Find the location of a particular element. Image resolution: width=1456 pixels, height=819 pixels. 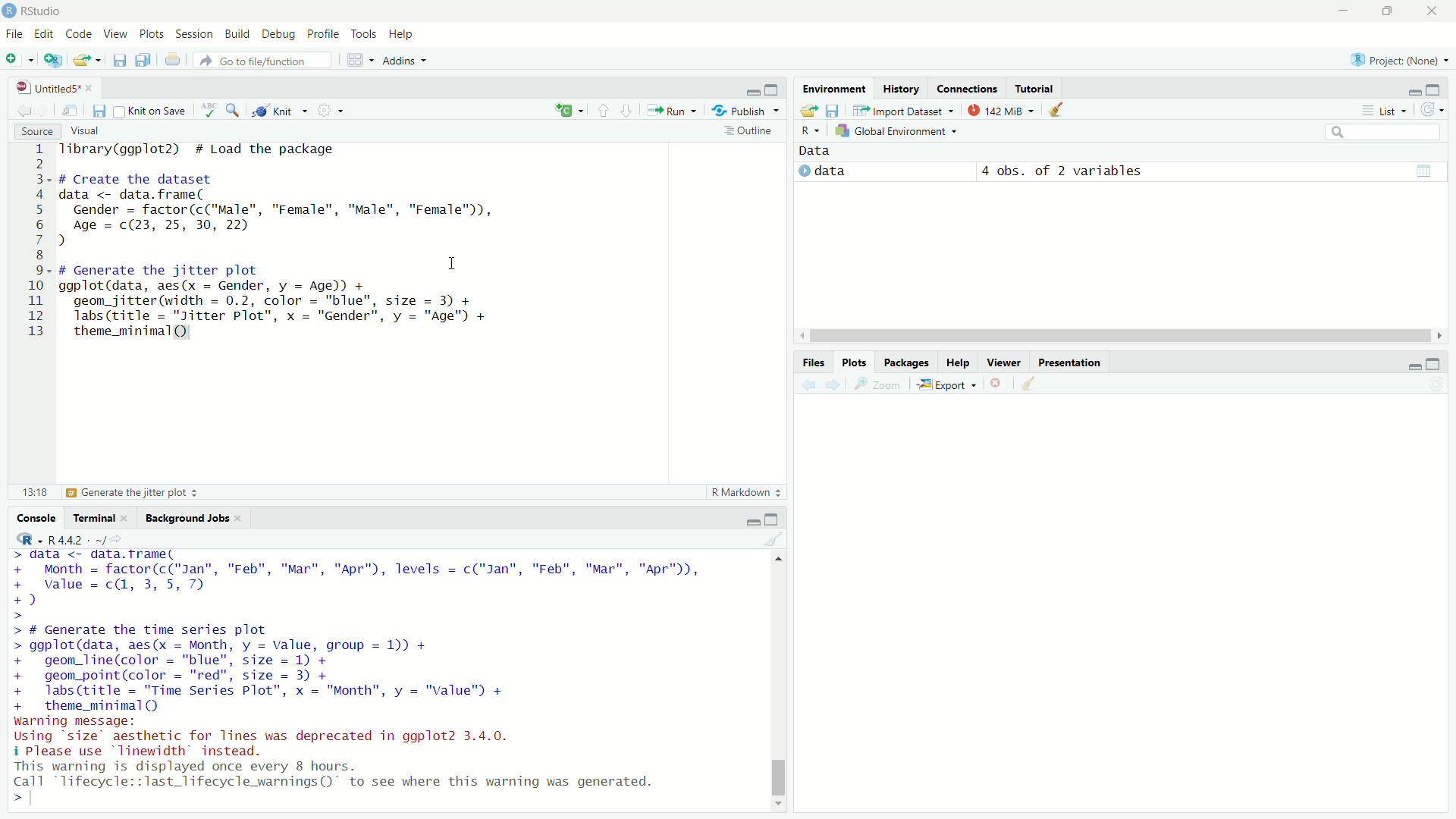

view the current working directory is located at coordinates (123, 539).